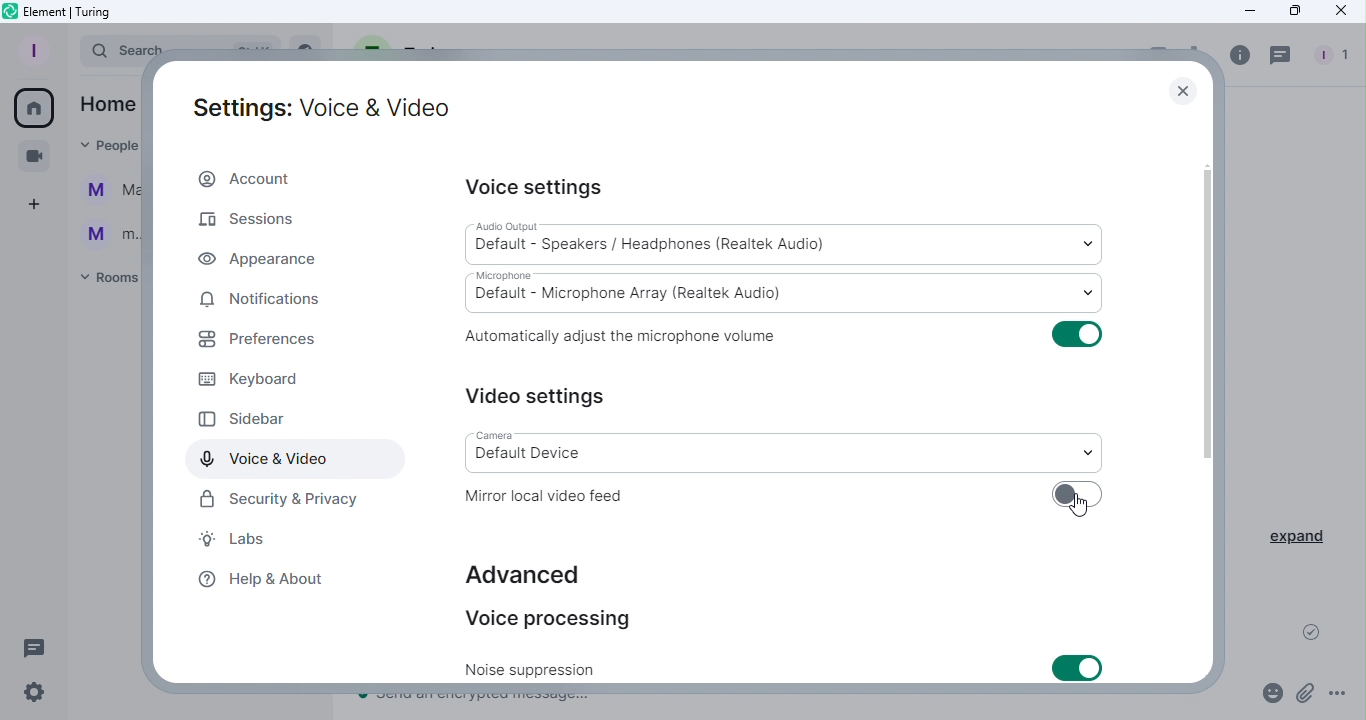 The height and width of the screenshot is (720, 1366). Describe the element at coordinates (1208, 397) in the screenshot. I see `Scroll bar` at that location.